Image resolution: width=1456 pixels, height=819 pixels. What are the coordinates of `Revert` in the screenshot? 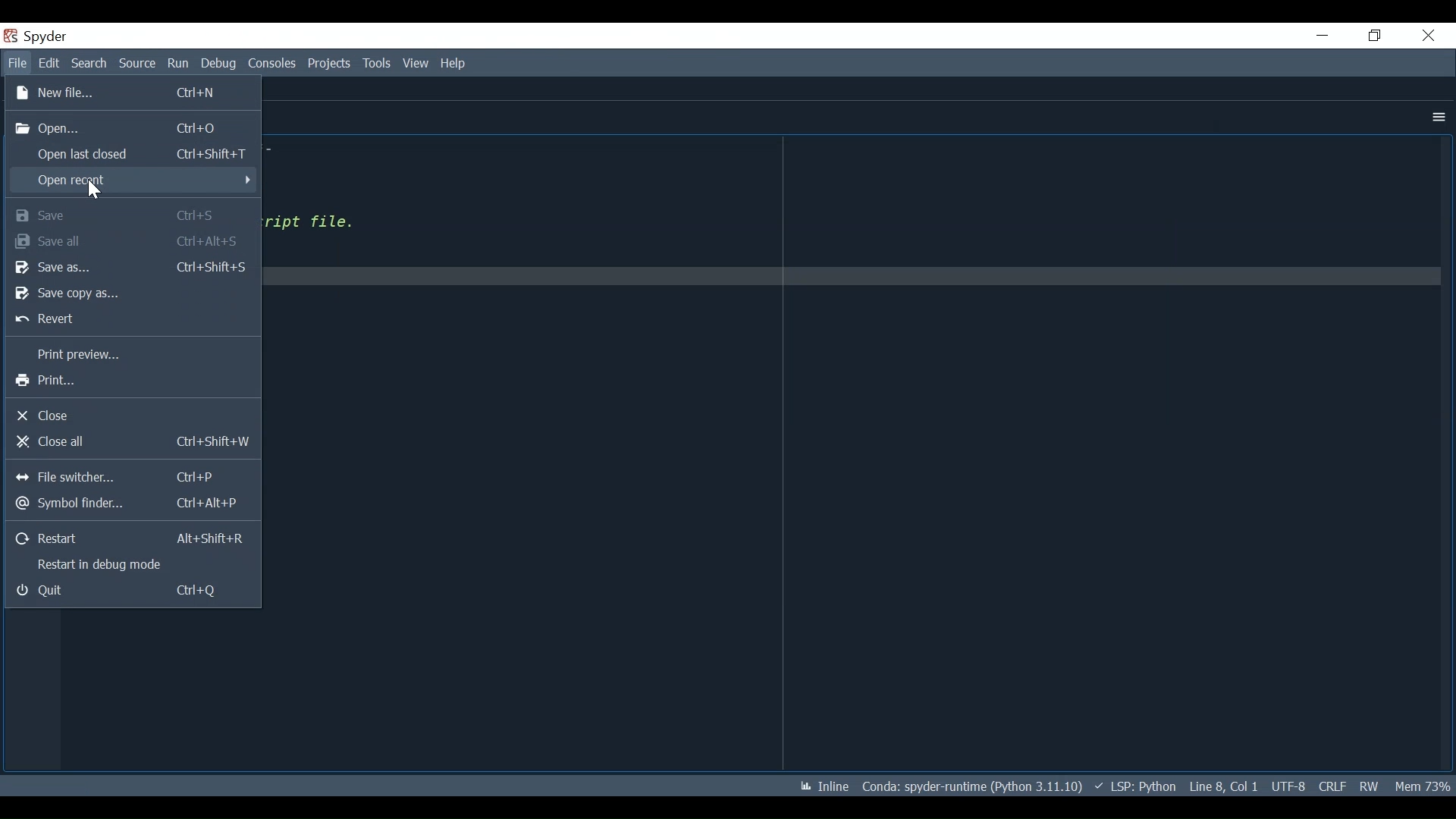 It's located at (130, 319).